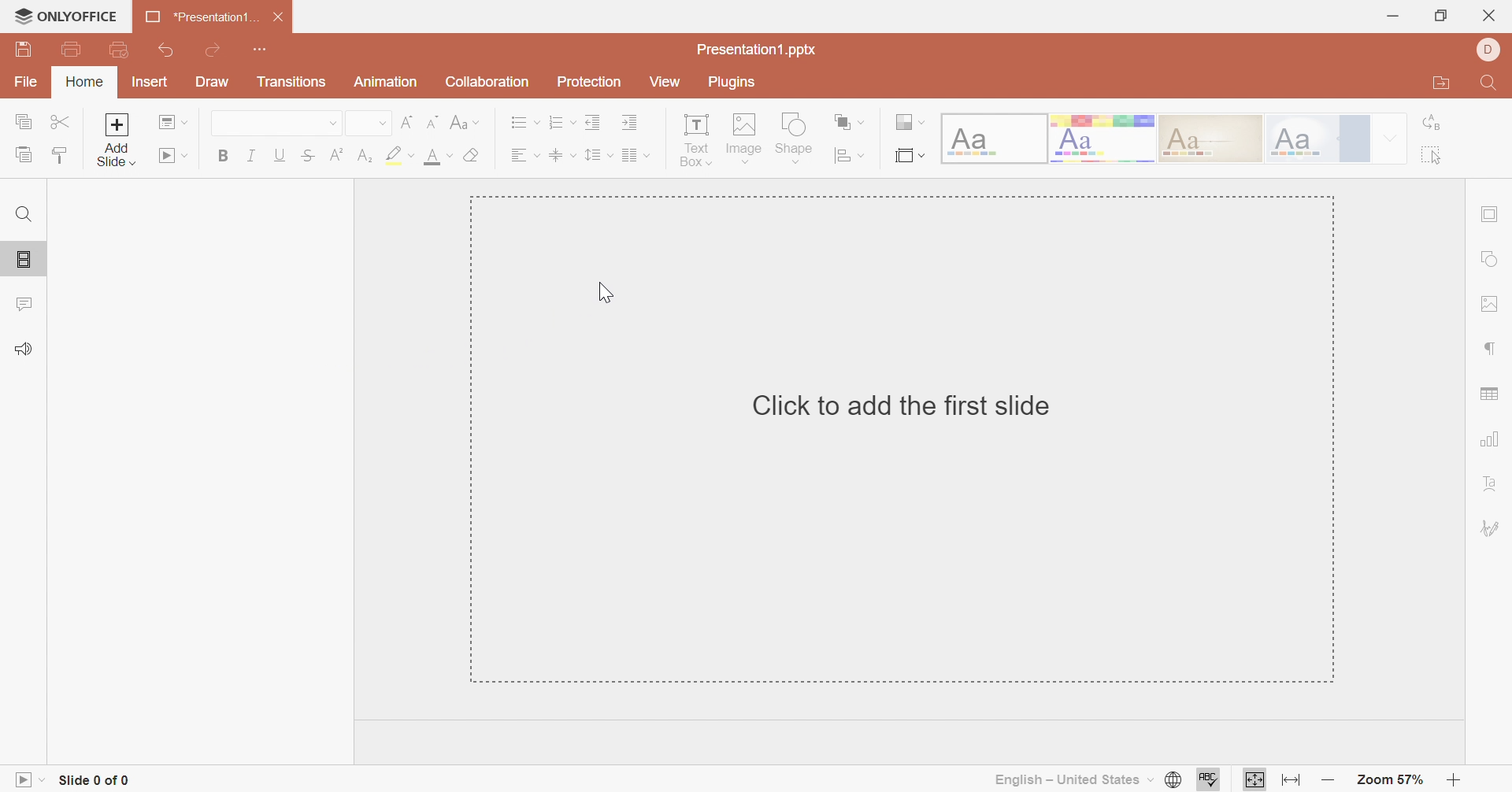 The width and height of the screenshot is (1512, 792). I want to click on Close, so click(279, 17).